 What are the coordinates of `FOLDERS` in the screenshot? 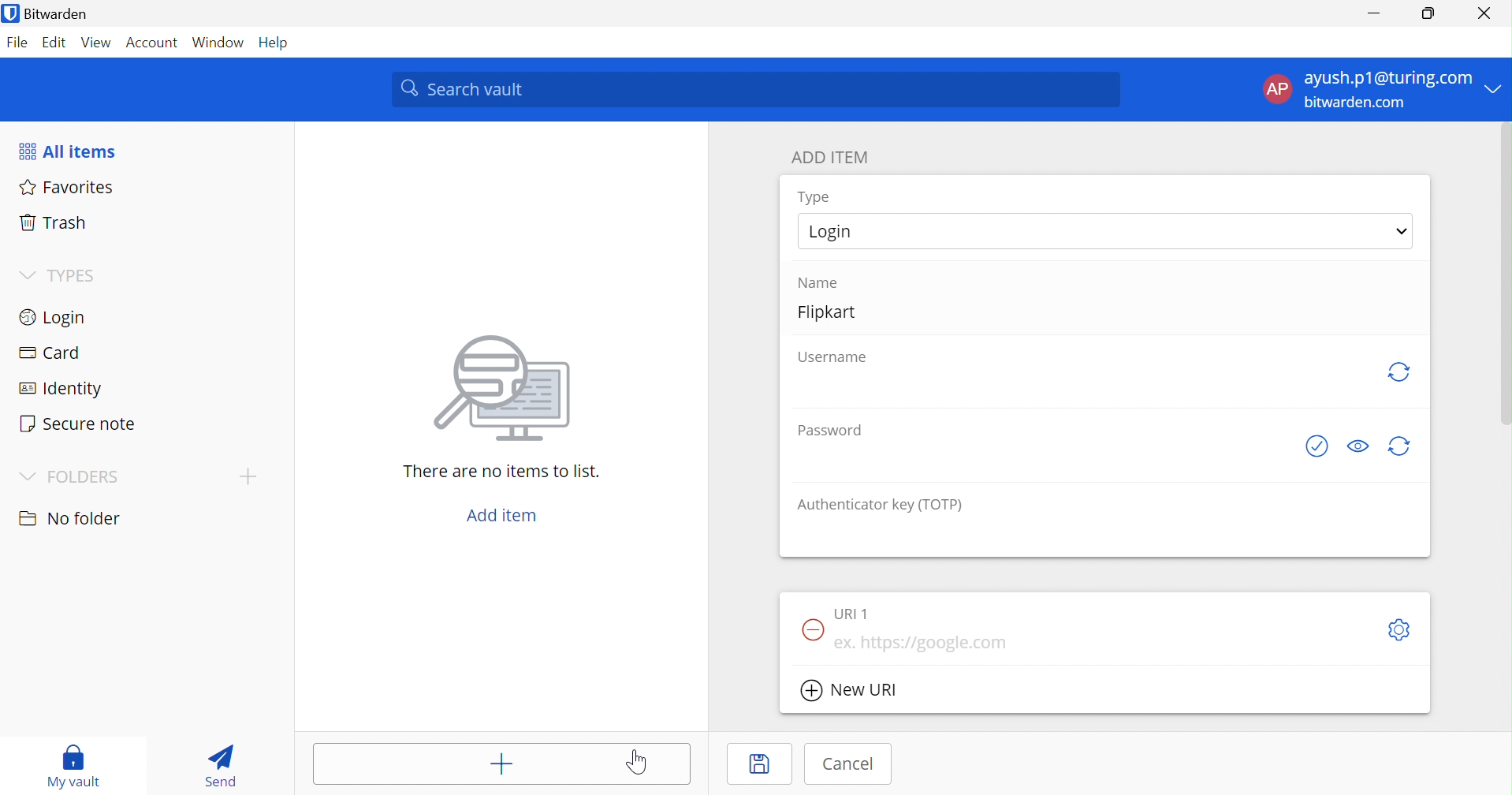 It's located at (84, 478).